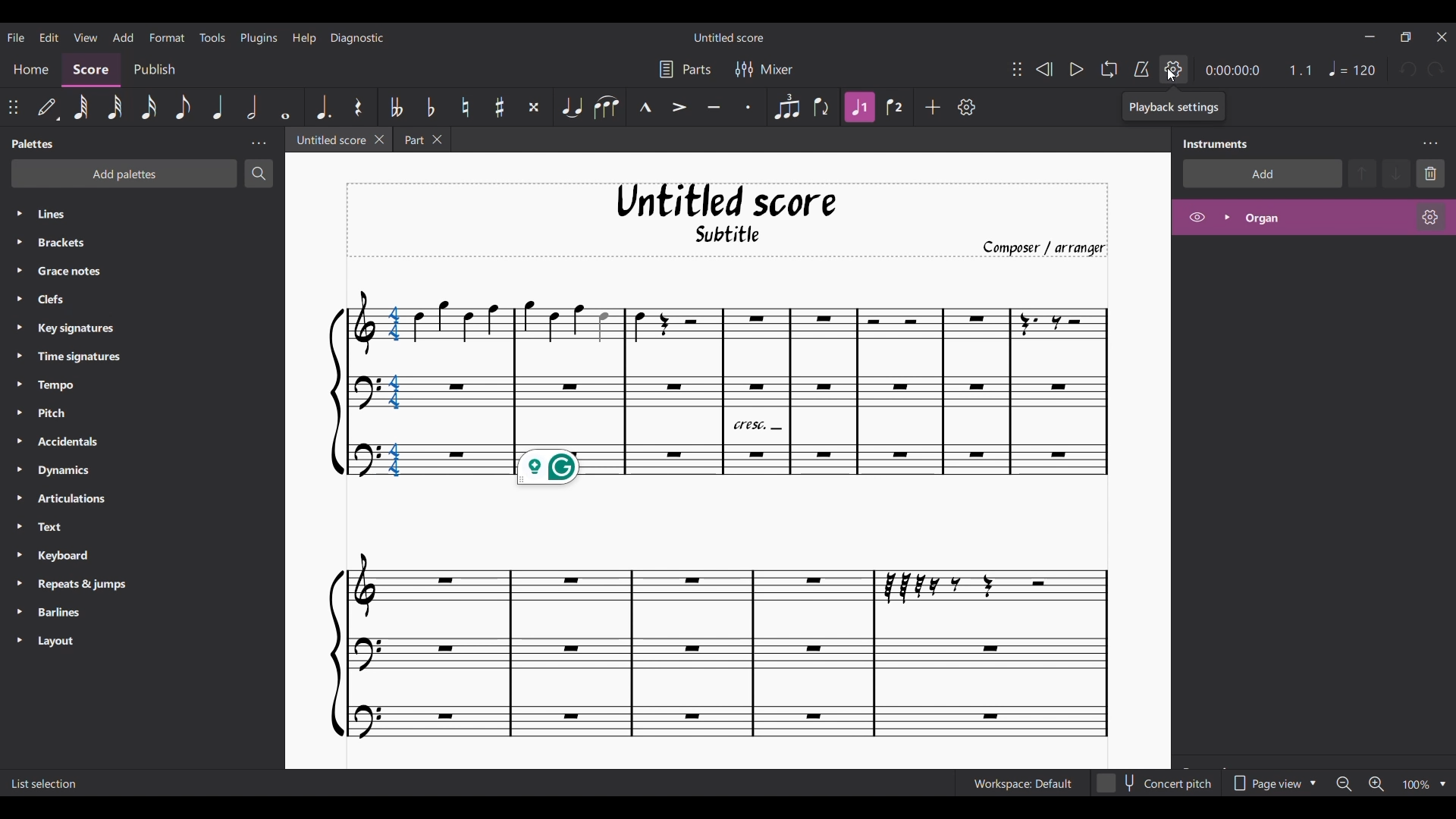  What do you see at coordinates (749, 107) in the screenshot?
I see `Staccato` at bounding box center [749, 107].